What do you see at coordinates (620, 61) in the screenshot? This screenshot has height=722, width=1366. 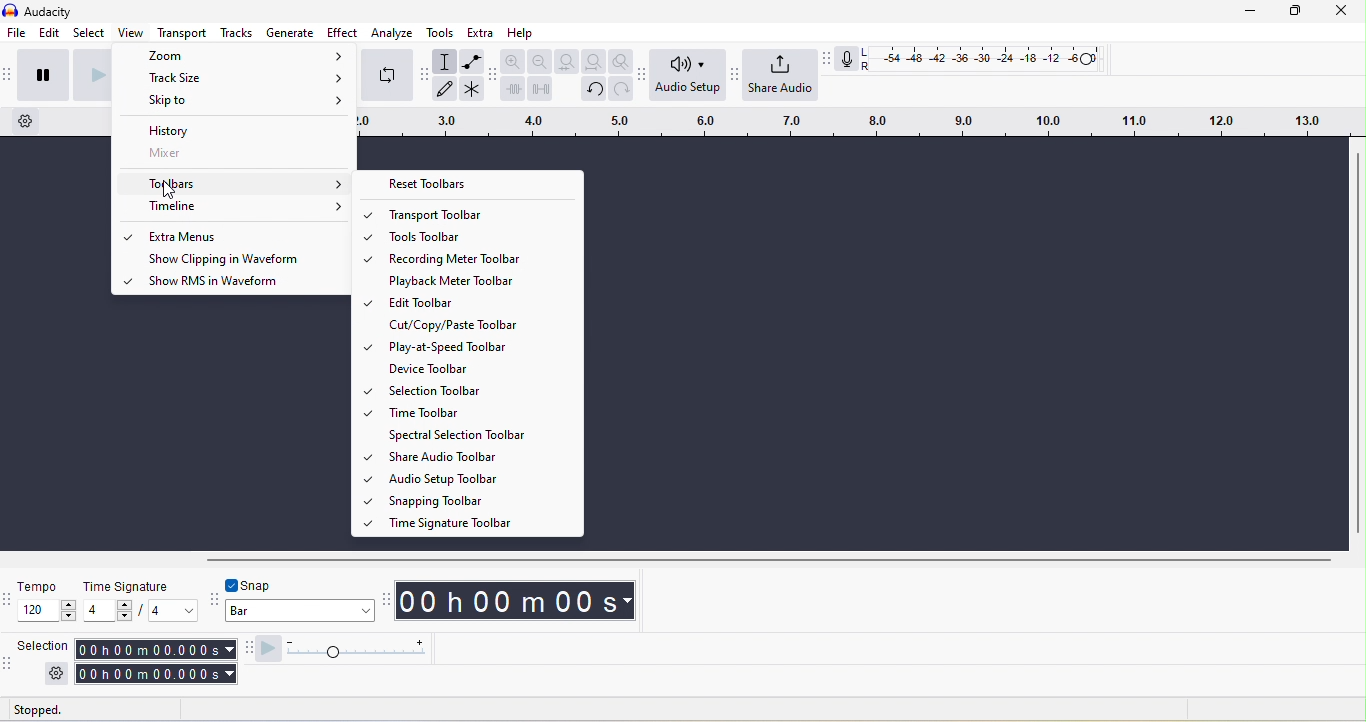 I see `zoom tool` at bounding box center [620, 61].